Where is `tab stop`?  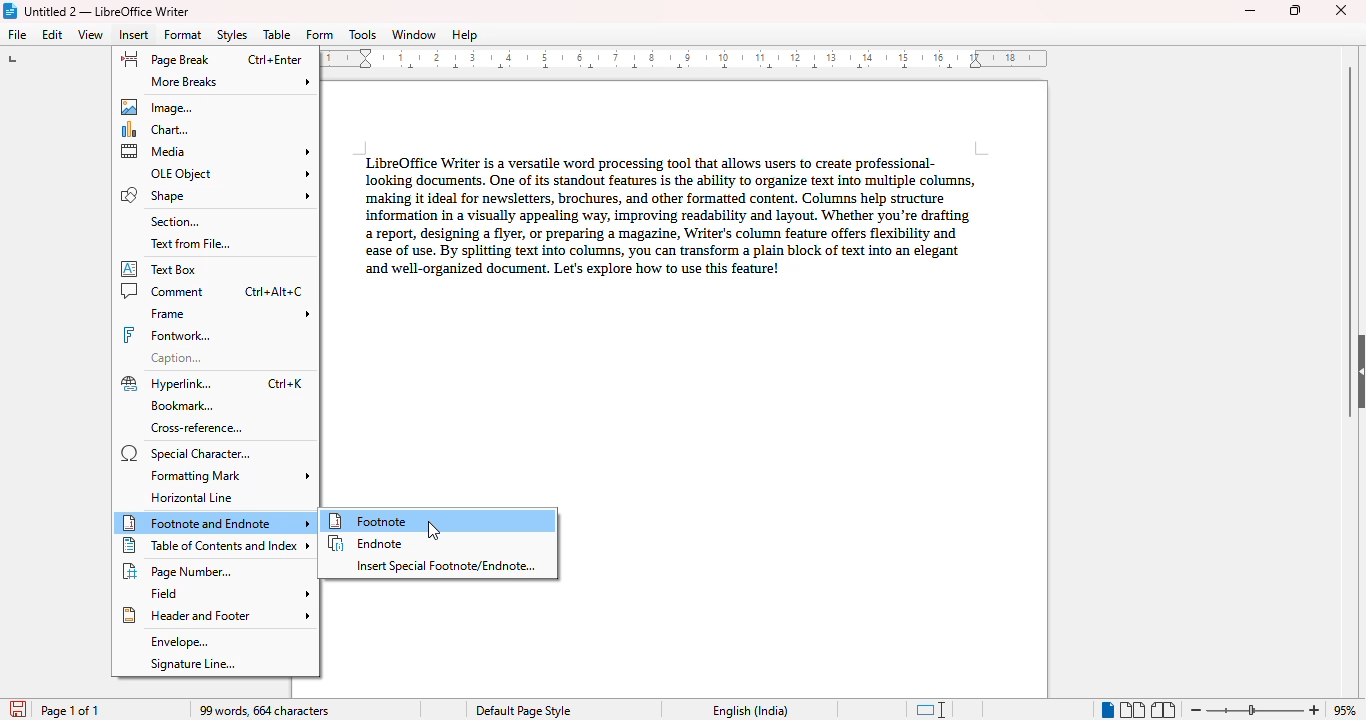 tab stop is located at coordinates (21, 61).